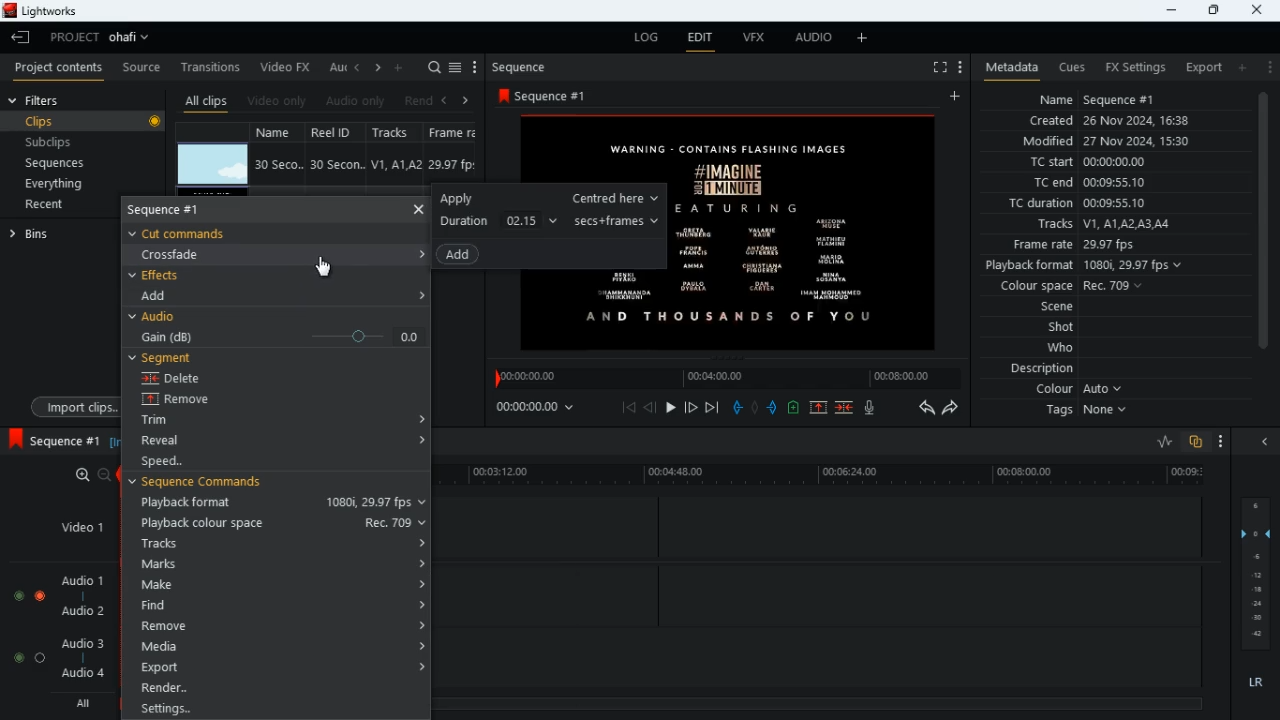 This screenshot has height=720, width=1280. What do you see at coordinates (1086, 163) in the screenshot?
I see `tc start` at bounding box center [1086, 163].